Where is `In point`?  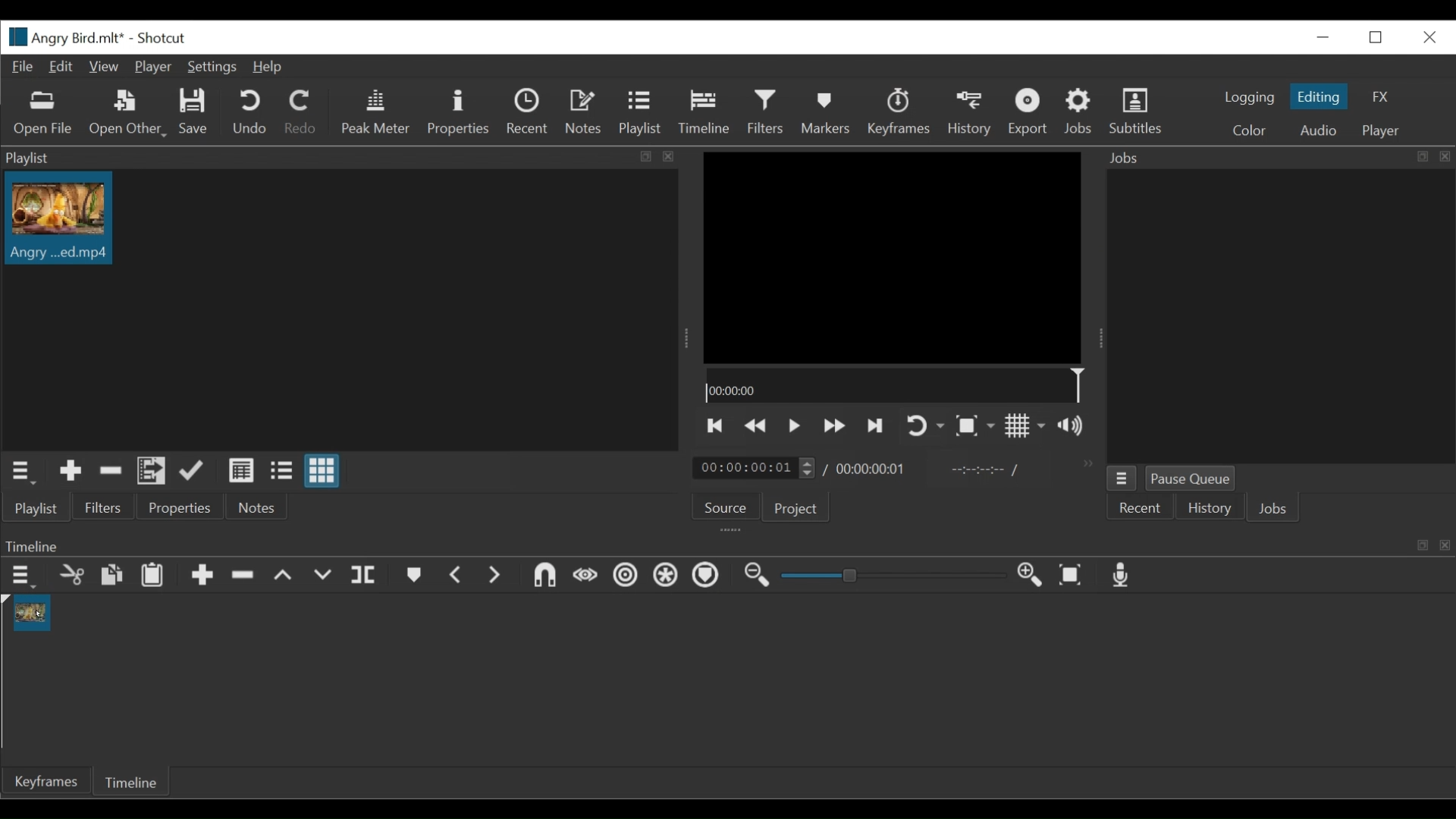 In point is located at coordinates (984, 470).